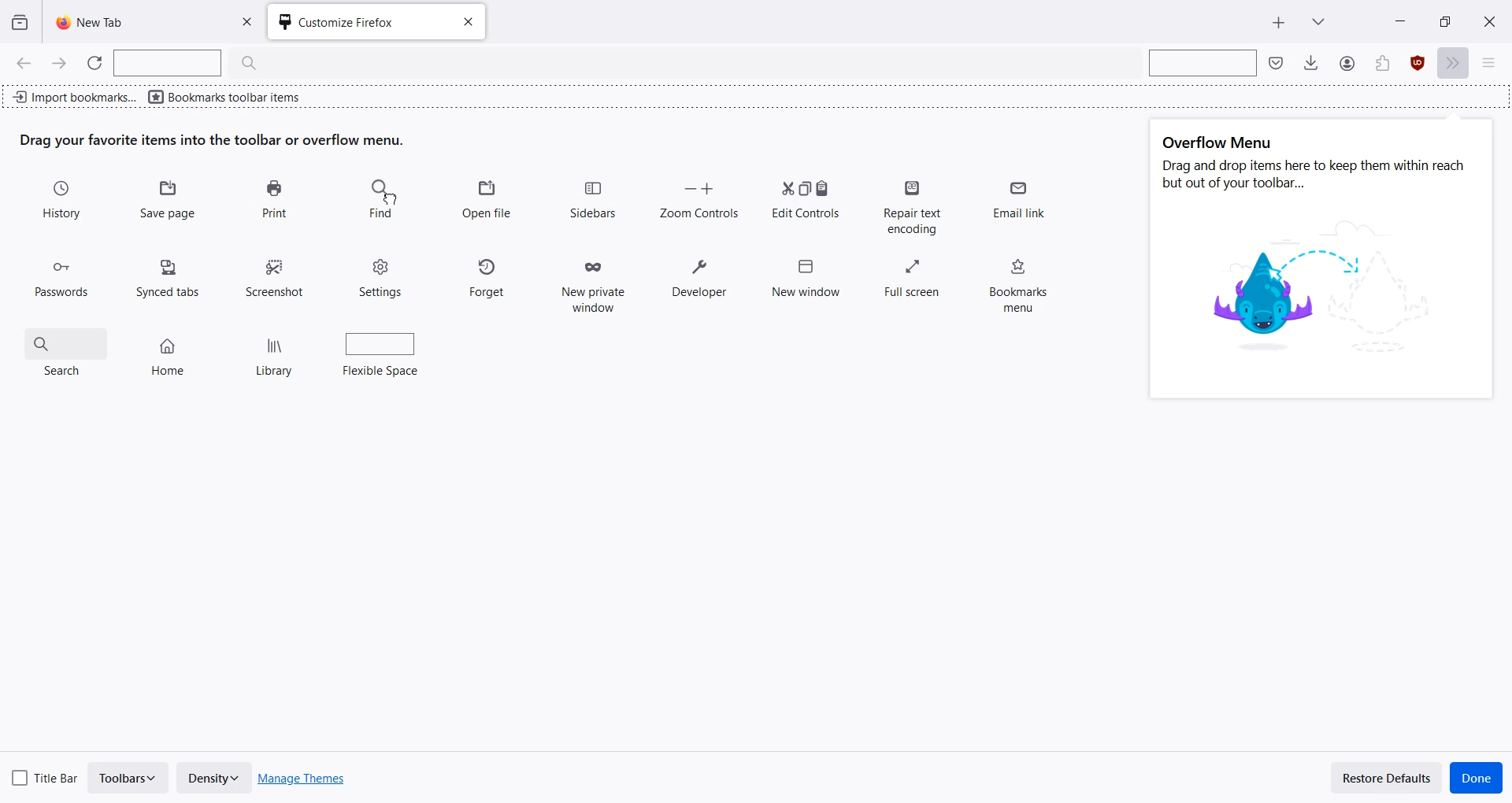  Describe the element at coordinates (170, 350) in the screenshot. I see `Home` at that location.